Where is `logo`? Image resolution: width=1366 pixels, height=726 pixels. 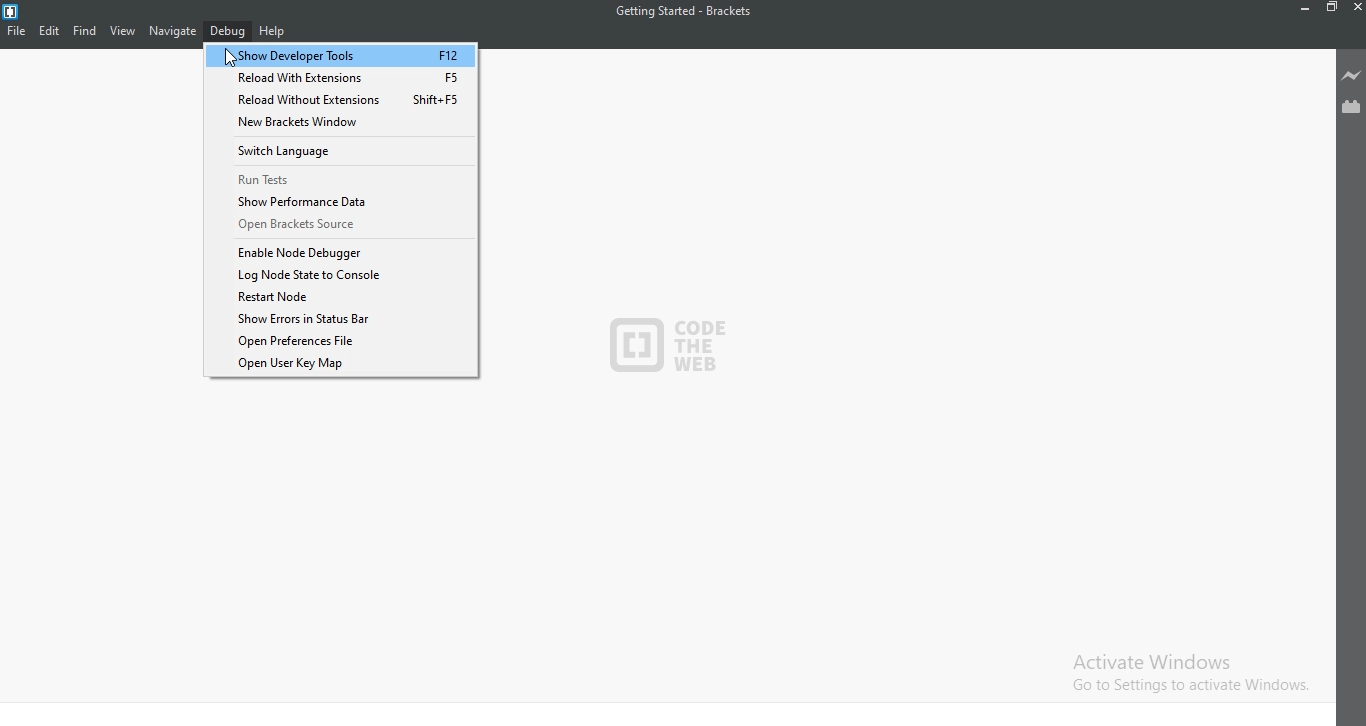 logo is located at coordinates (671, 344).